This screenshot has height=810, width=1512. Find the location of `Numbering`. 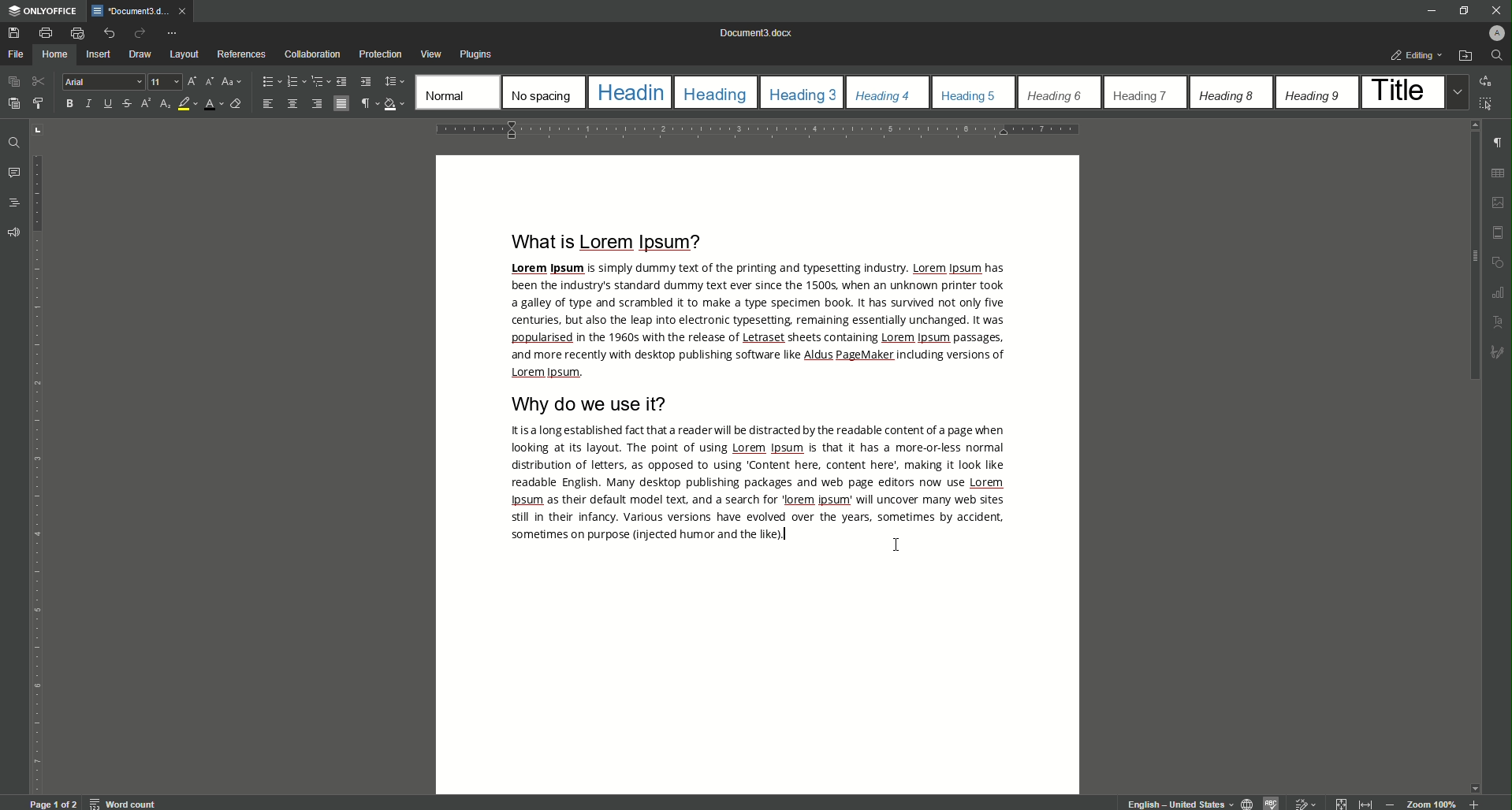

Numbering is located at coordinates (292, 82).